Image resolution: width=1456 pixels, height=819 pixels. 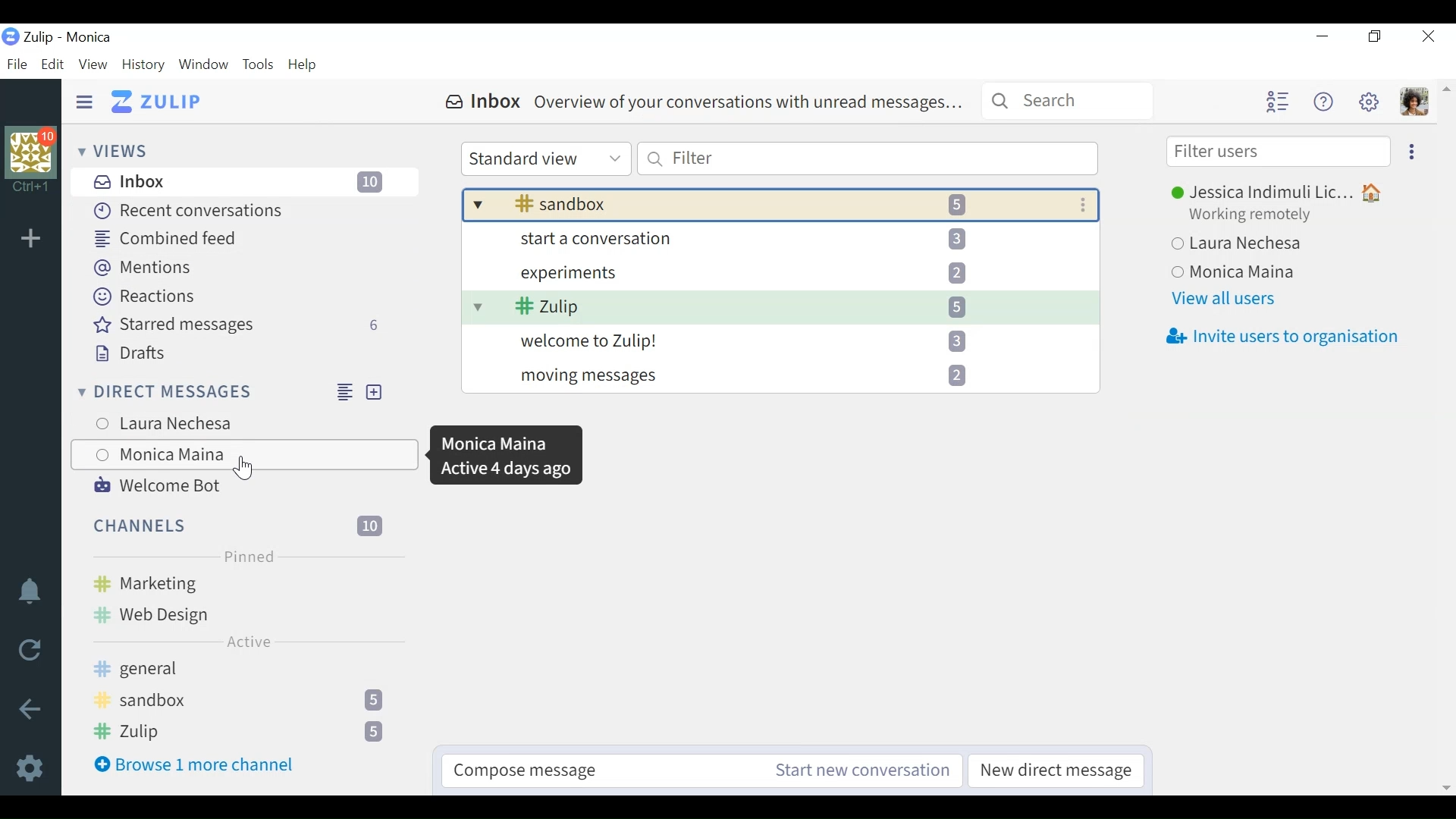 What do you see at coordinates (1277, 101) in the screenshot?
I see `Hide user list` at bounding box center [1277, 101].